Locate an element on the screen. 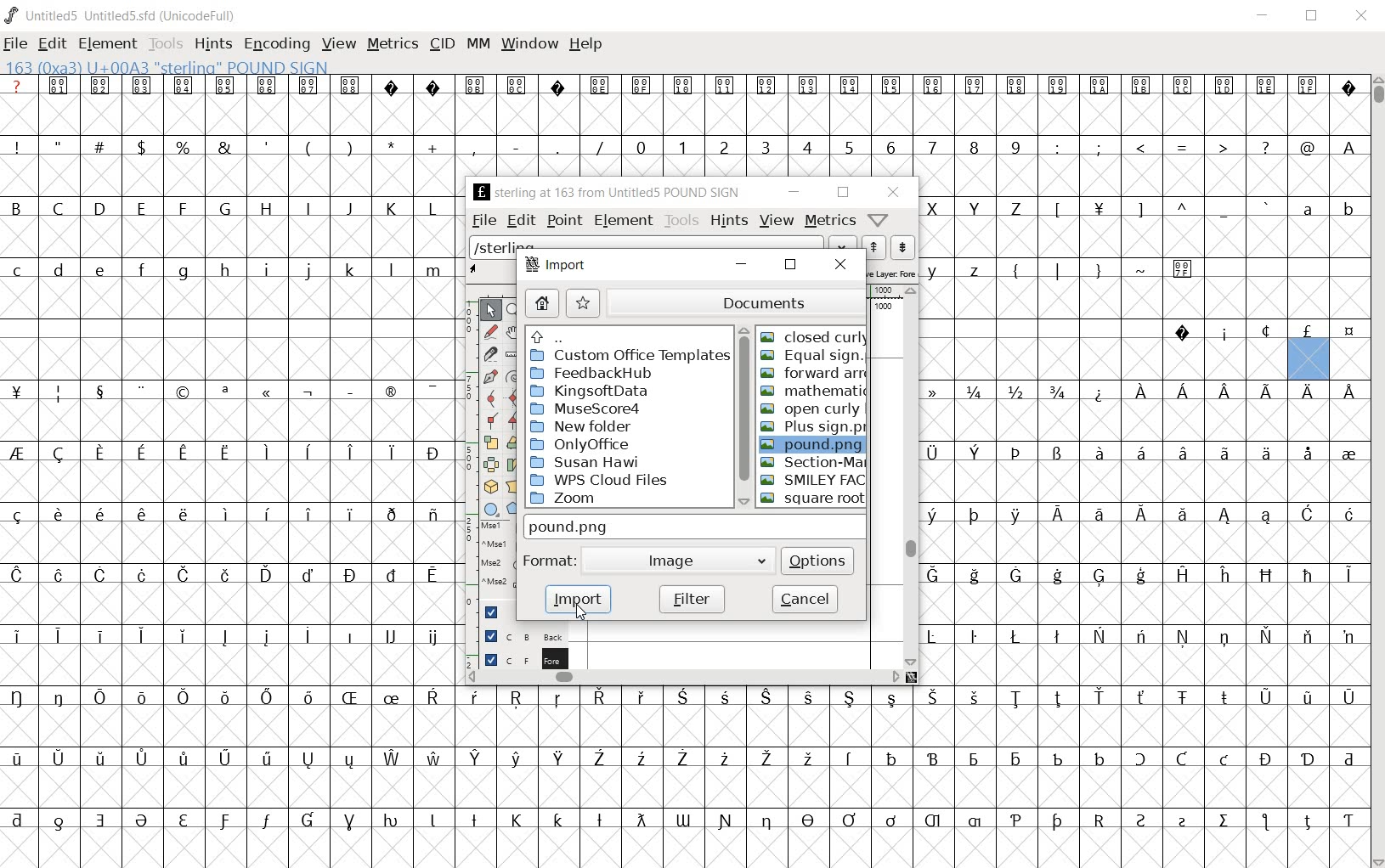   is located at coordinates (1225, 389).